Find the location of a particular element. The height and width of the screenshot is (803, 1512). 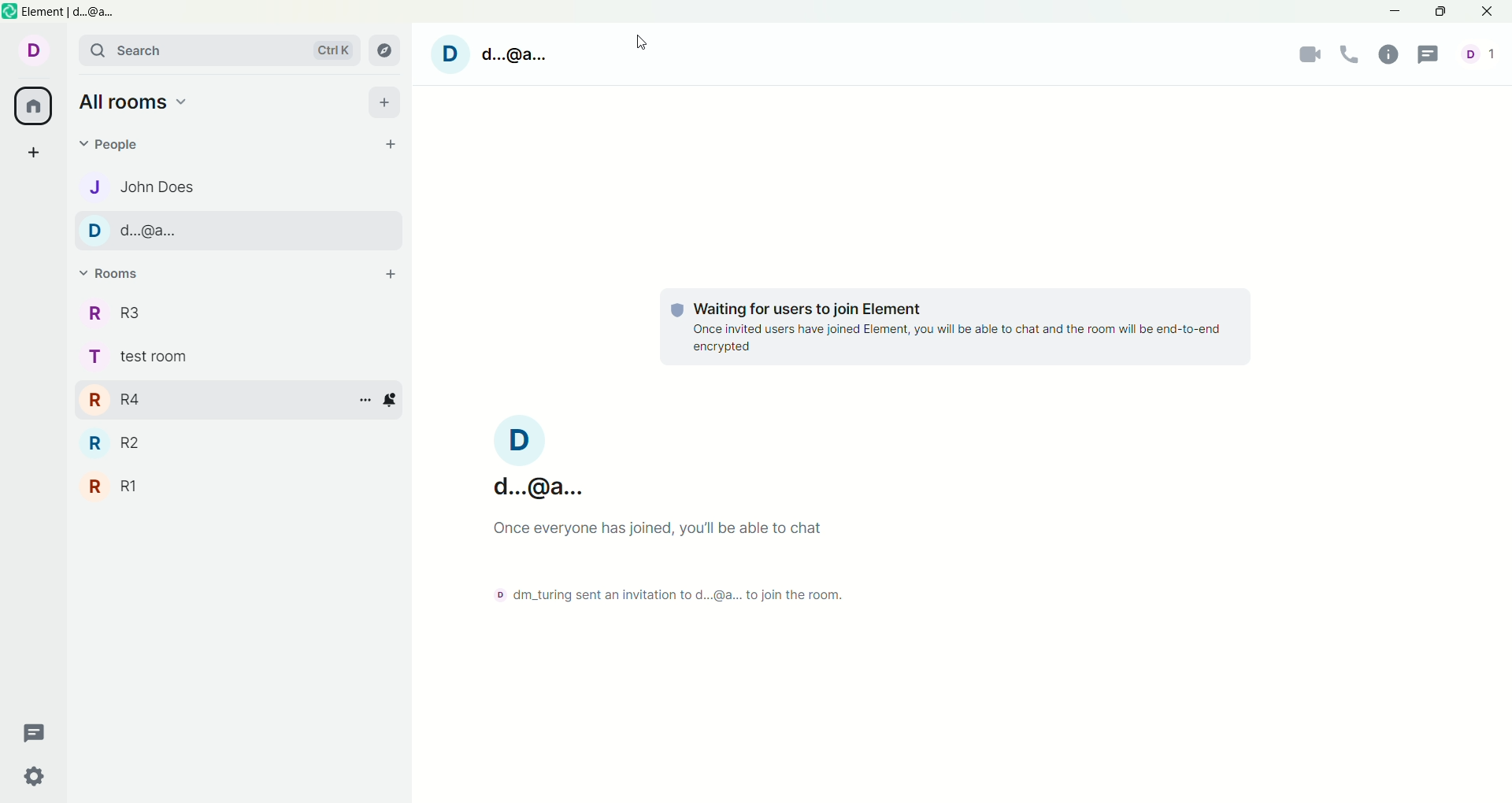

Once invited users have joined Element, you will be able to chat and the room will be end-to-end encrypted is located at coordinates (956, 339).